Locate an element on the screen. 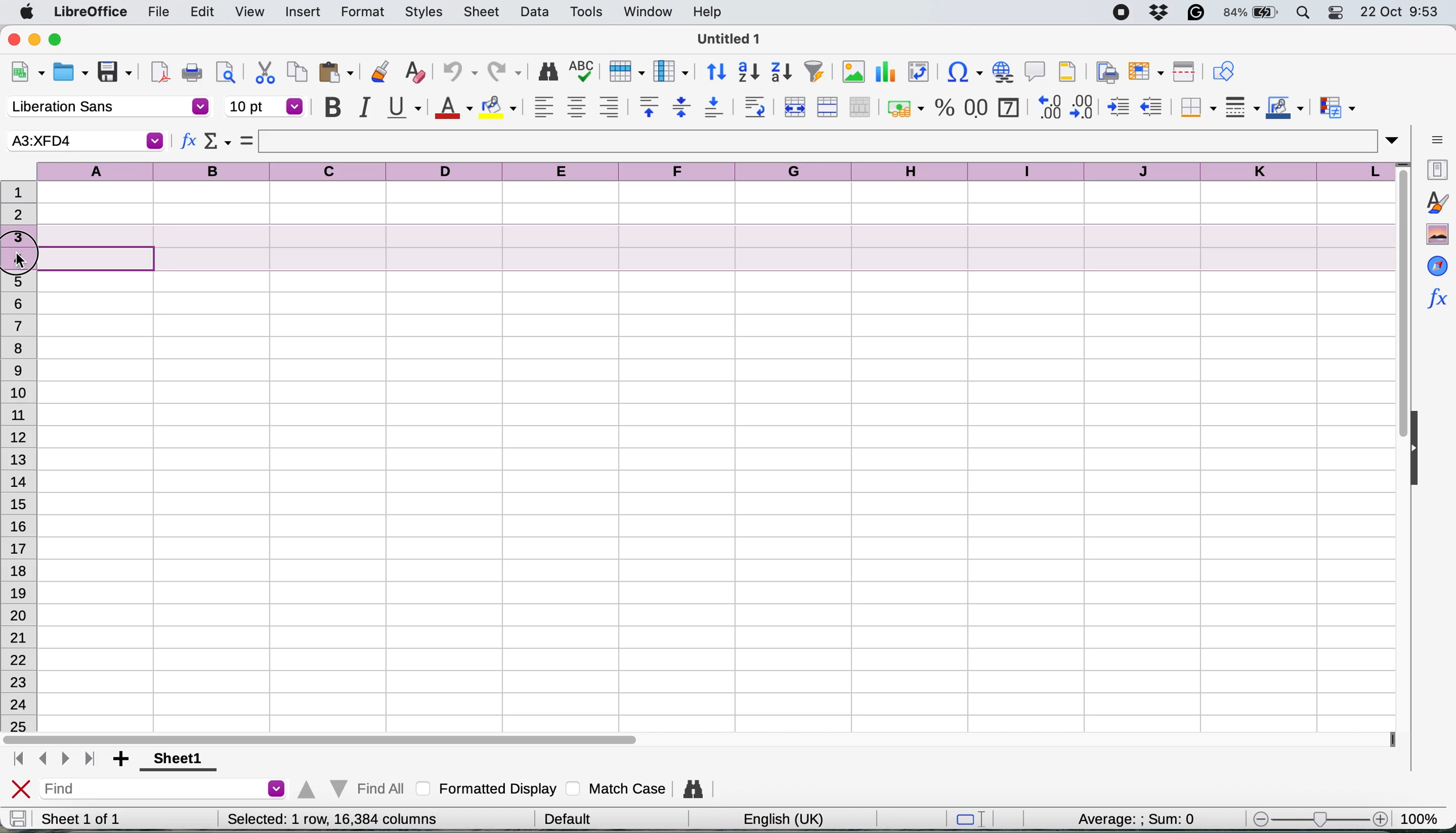  wrap text is located at coordinates (755, 106).